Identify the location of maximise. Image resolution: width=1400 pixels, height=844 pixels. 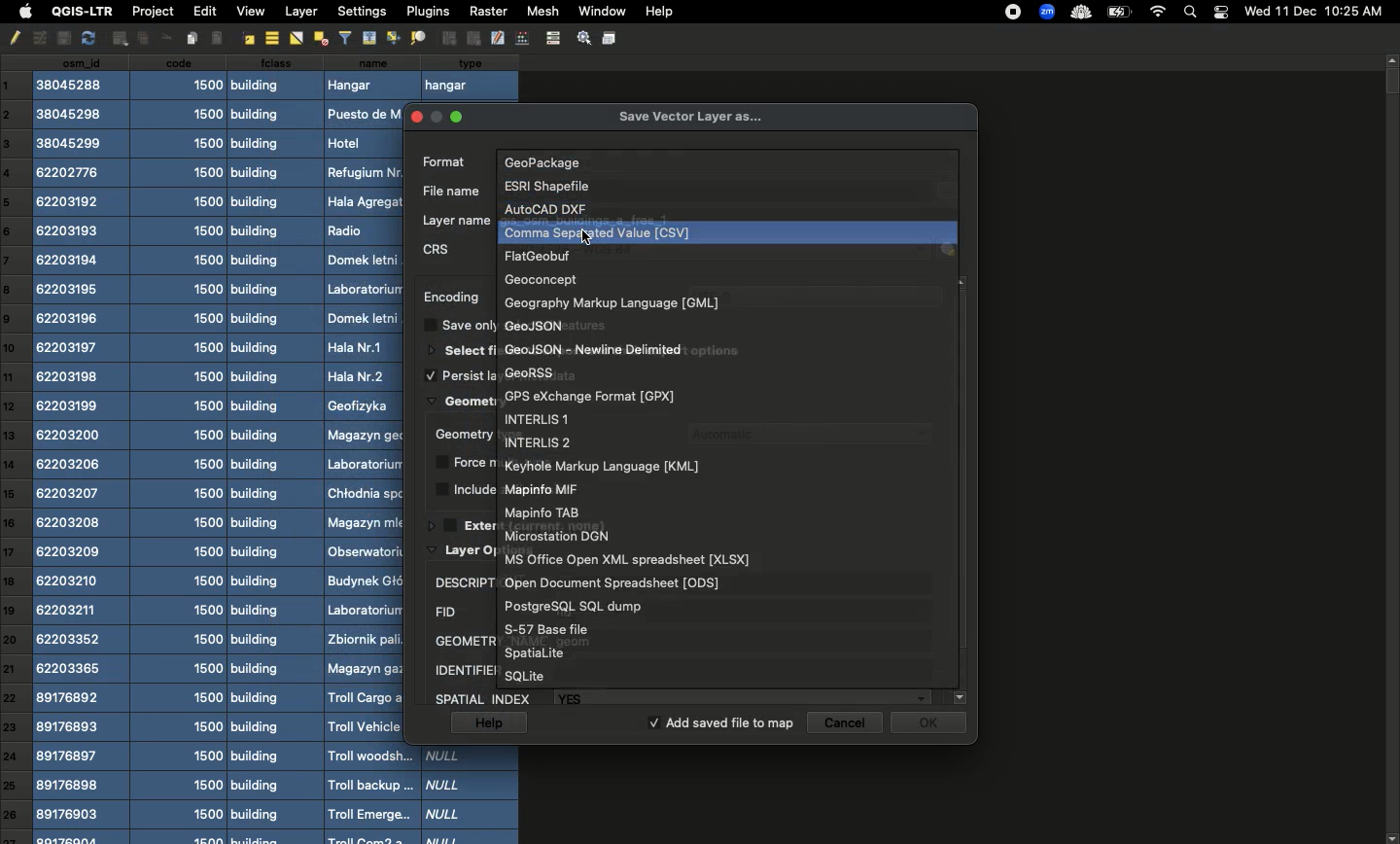
(457, 114).